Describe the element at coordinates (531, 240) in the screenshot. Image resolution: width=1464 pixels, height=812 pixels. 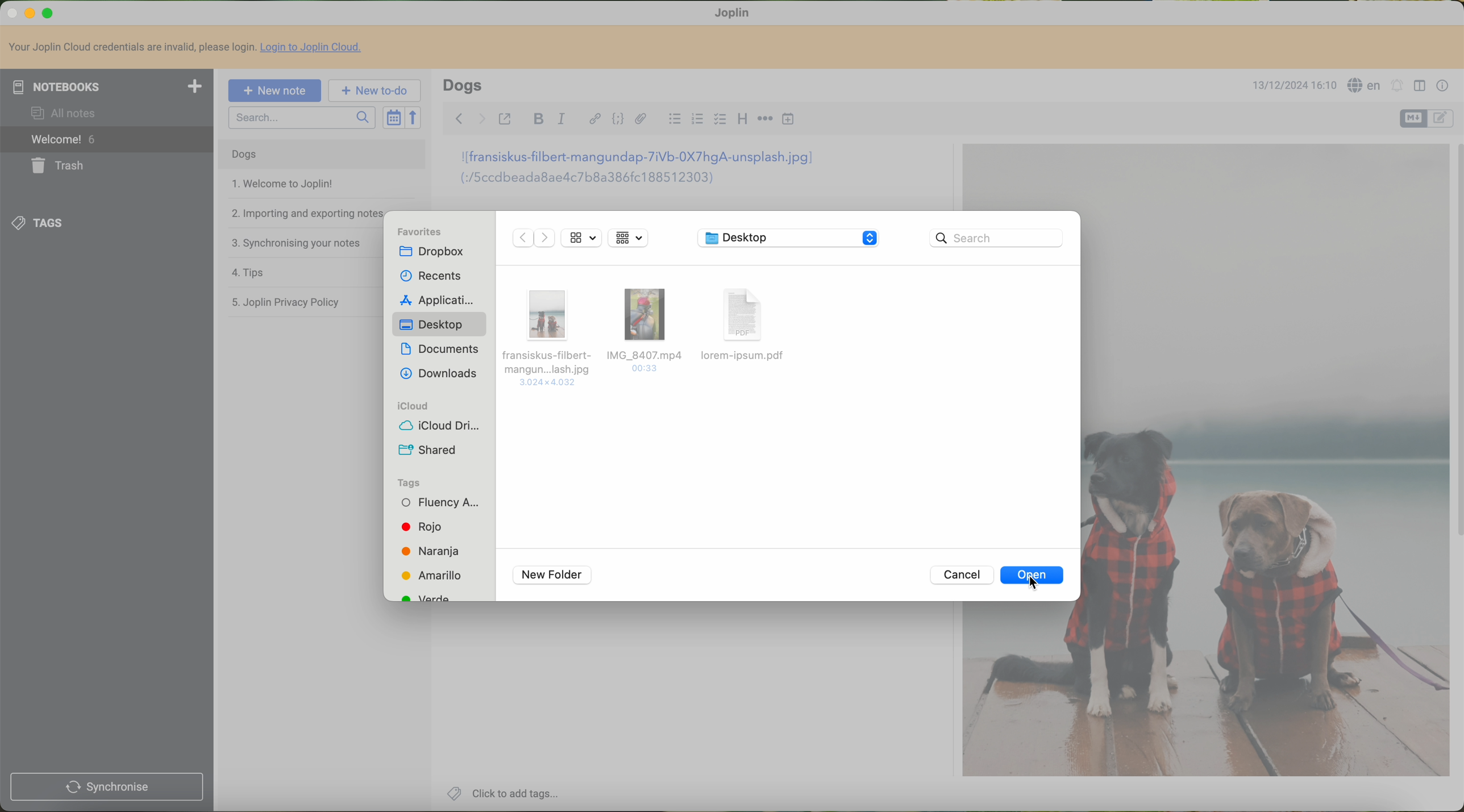
I see `navigate arrows` at that location.